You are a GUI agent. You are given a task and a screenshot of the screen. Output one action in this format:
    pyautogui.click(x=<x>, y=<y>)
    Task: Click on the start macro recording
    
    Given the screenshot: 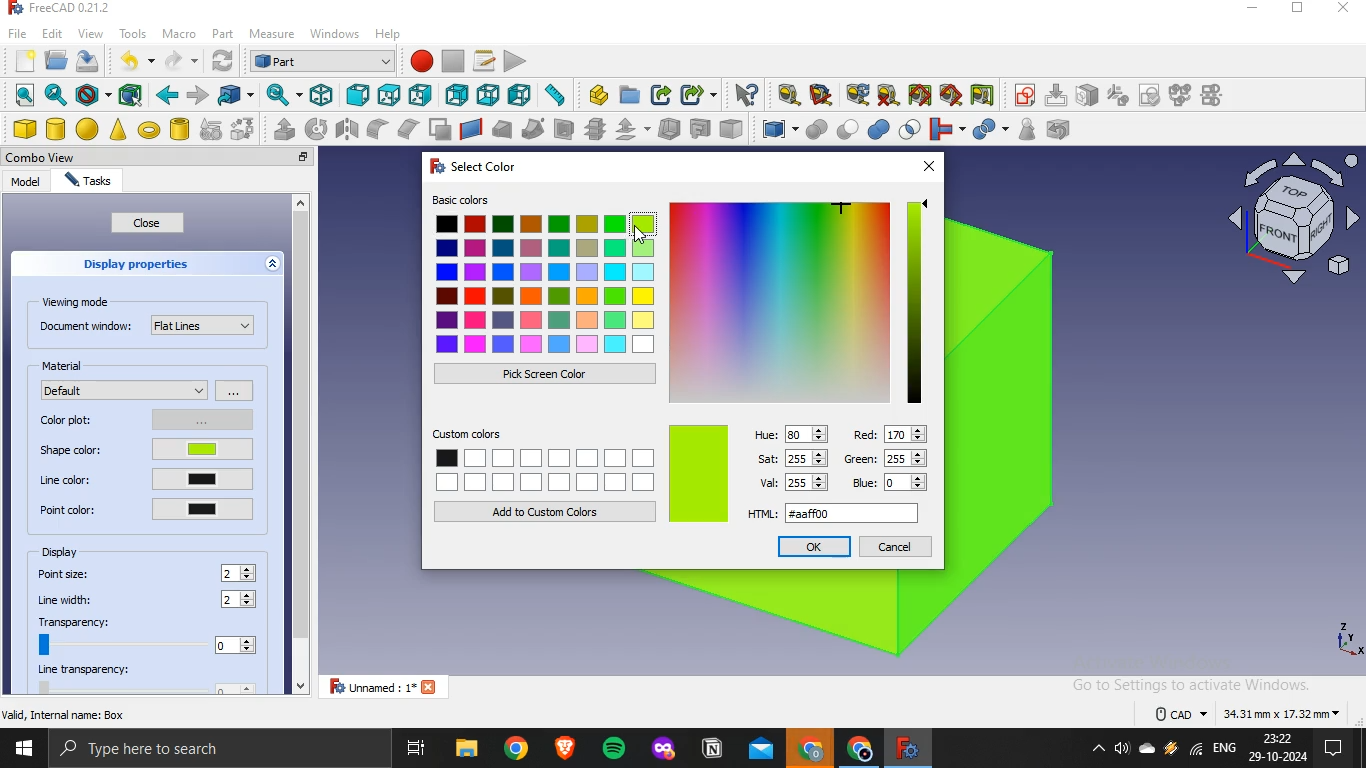 What is the action you would take?
    pyautogui.click(x=421, y=60)
    